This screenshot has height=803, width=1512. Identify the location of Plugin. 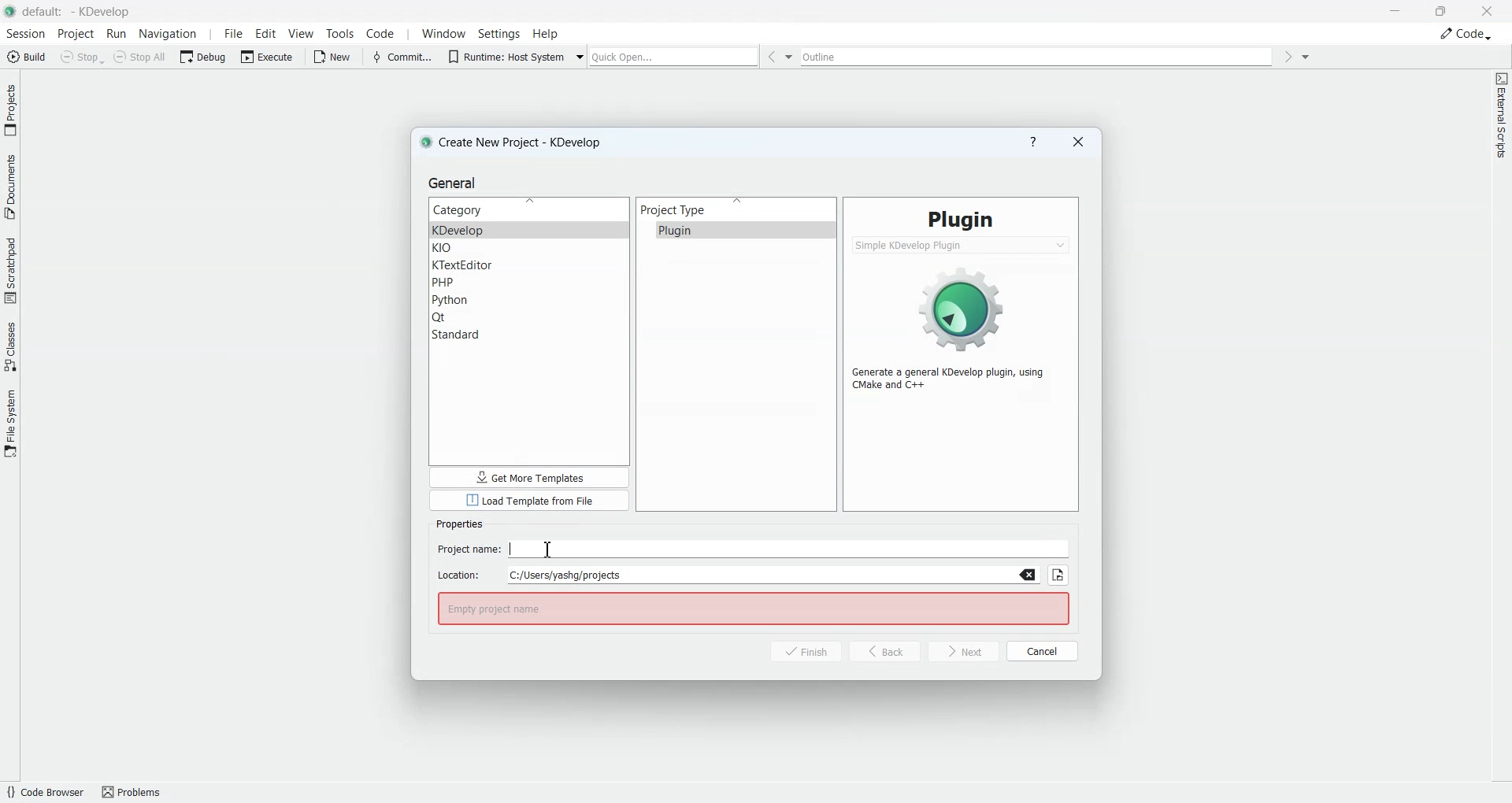
(736, 230).